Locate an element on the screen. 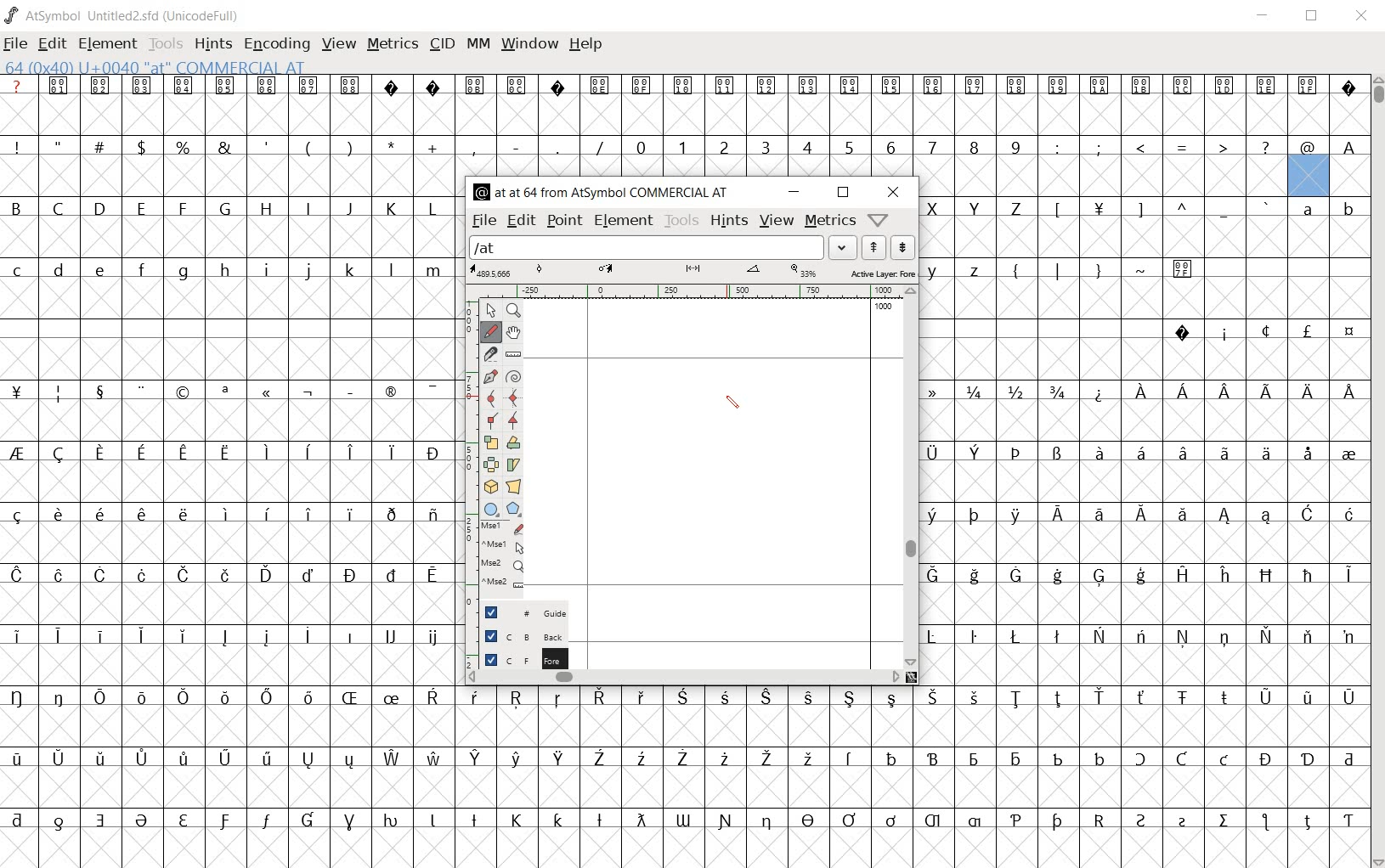 The width and height of the screenshot is (1385, 868). TOOLS is located at coordinates (165, 45).